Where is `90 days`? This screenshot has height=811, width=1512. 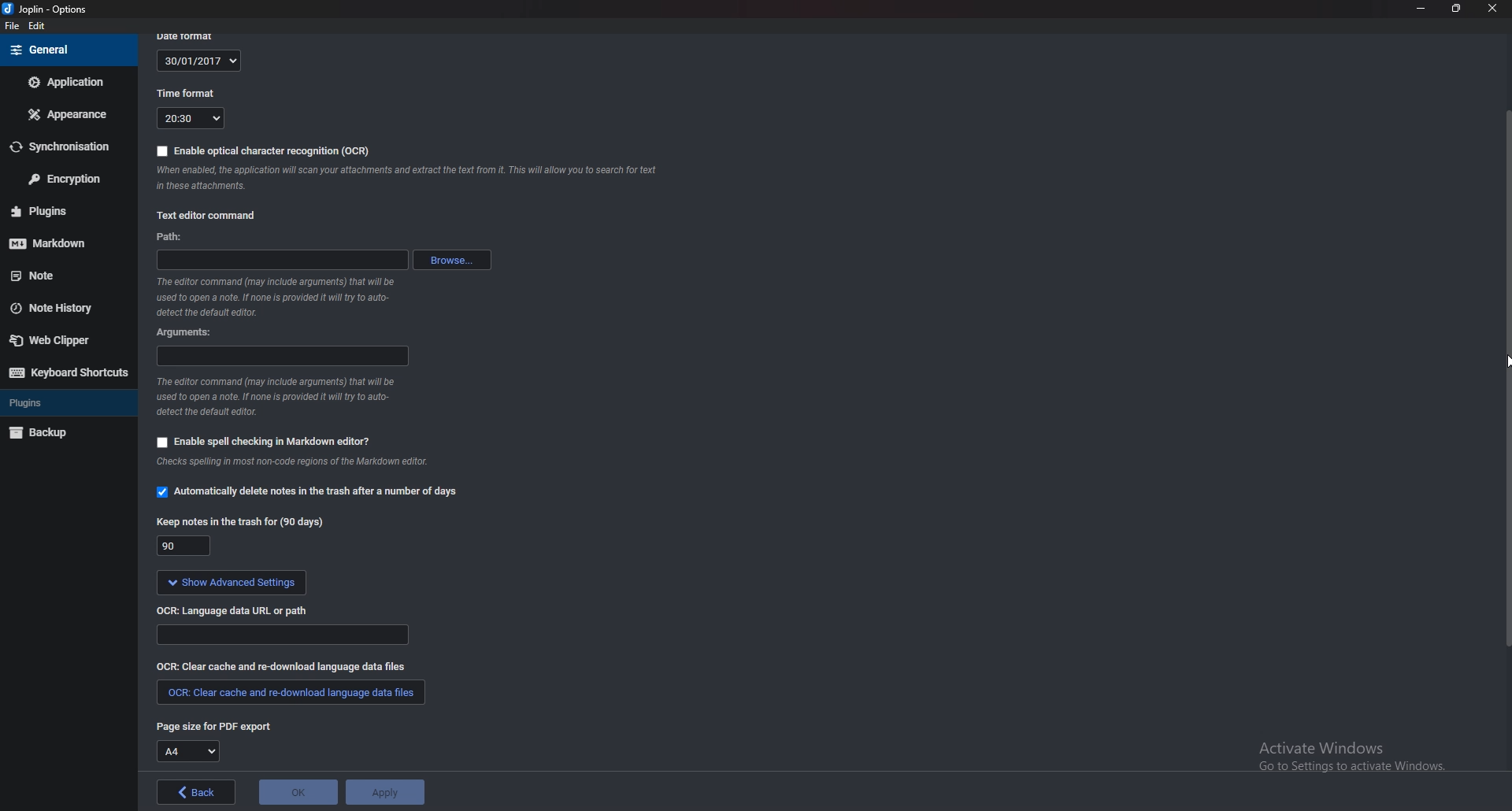 90 days is located at coordinates (181, 546).